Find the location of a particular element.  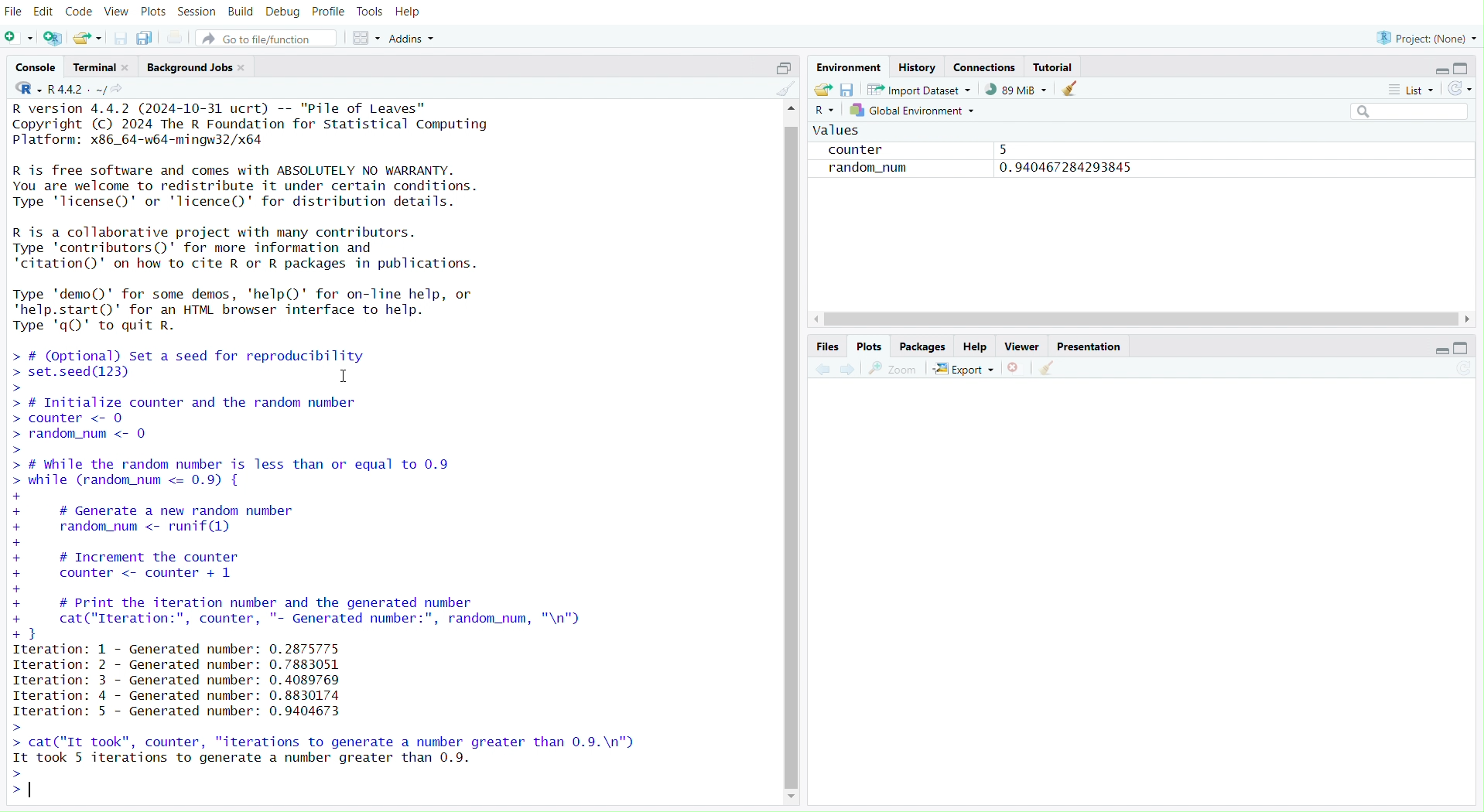

Clear Console (Ctrl + L) is located at coordinates (785, 93).